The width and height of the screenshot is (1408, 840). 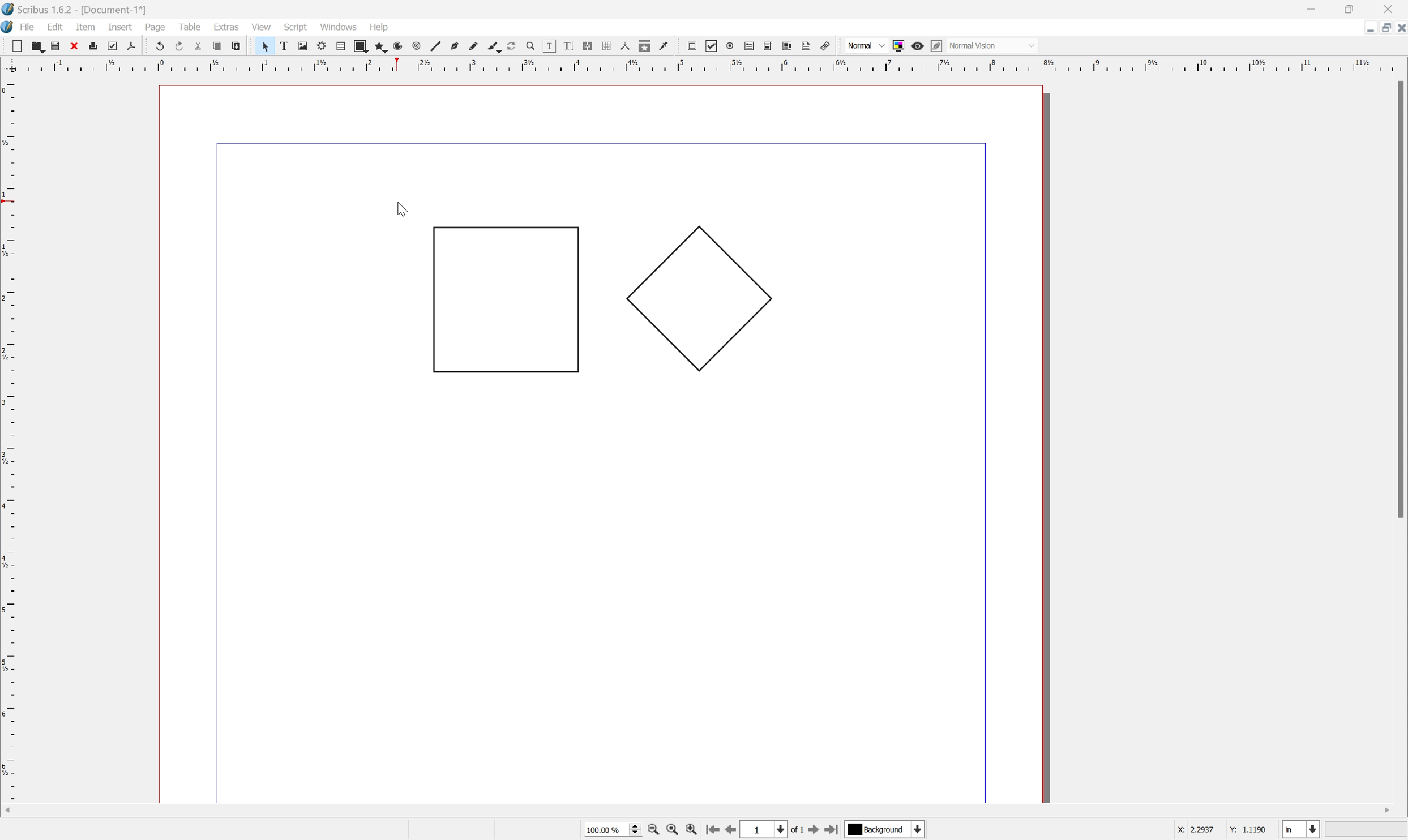 What do you see at coordinates (1312, 8) in the screenshot?
I see `Minimize` at bounding box center [1312, 8].